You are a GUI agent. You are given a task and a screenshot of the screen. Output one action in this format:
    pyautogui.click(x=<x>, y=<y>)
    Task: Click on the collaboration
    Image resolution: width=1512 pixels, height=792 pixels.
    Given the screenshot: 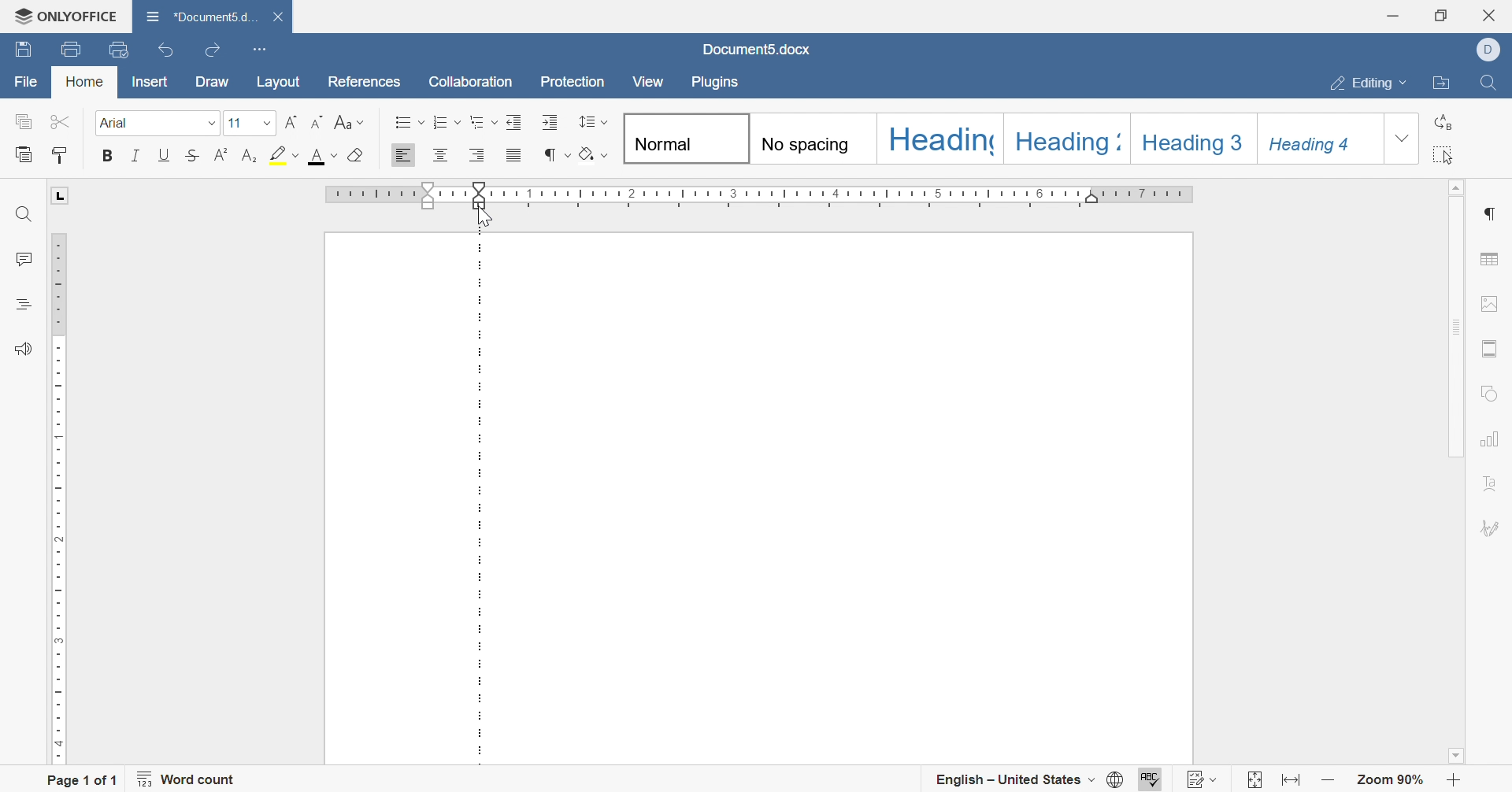 What is the action you would take?
    pyautogui.click(x=470, y=80)
    